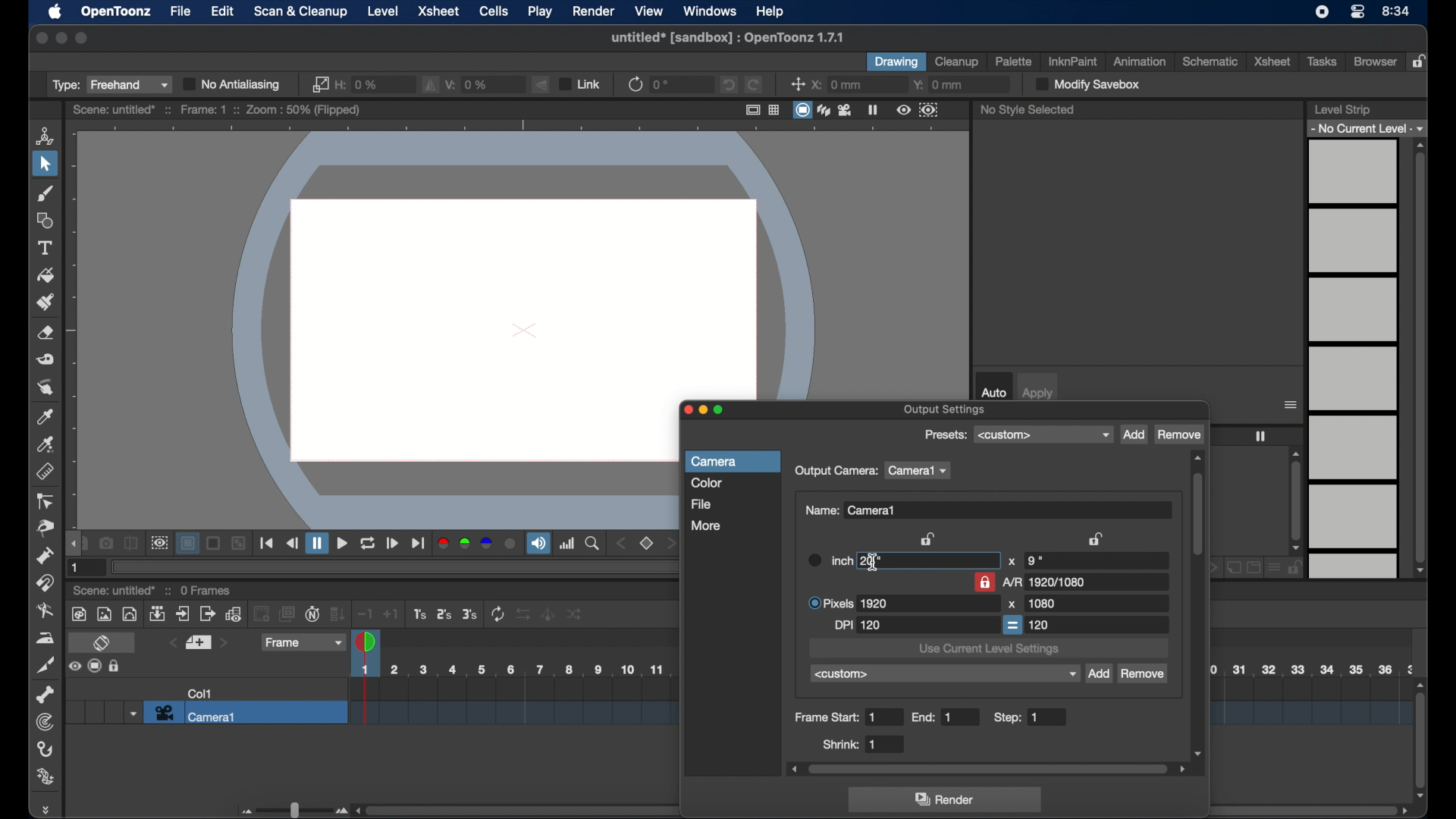  Describe the element at coordinates (1012, 604) in the screenshot. I see `x` at that location.